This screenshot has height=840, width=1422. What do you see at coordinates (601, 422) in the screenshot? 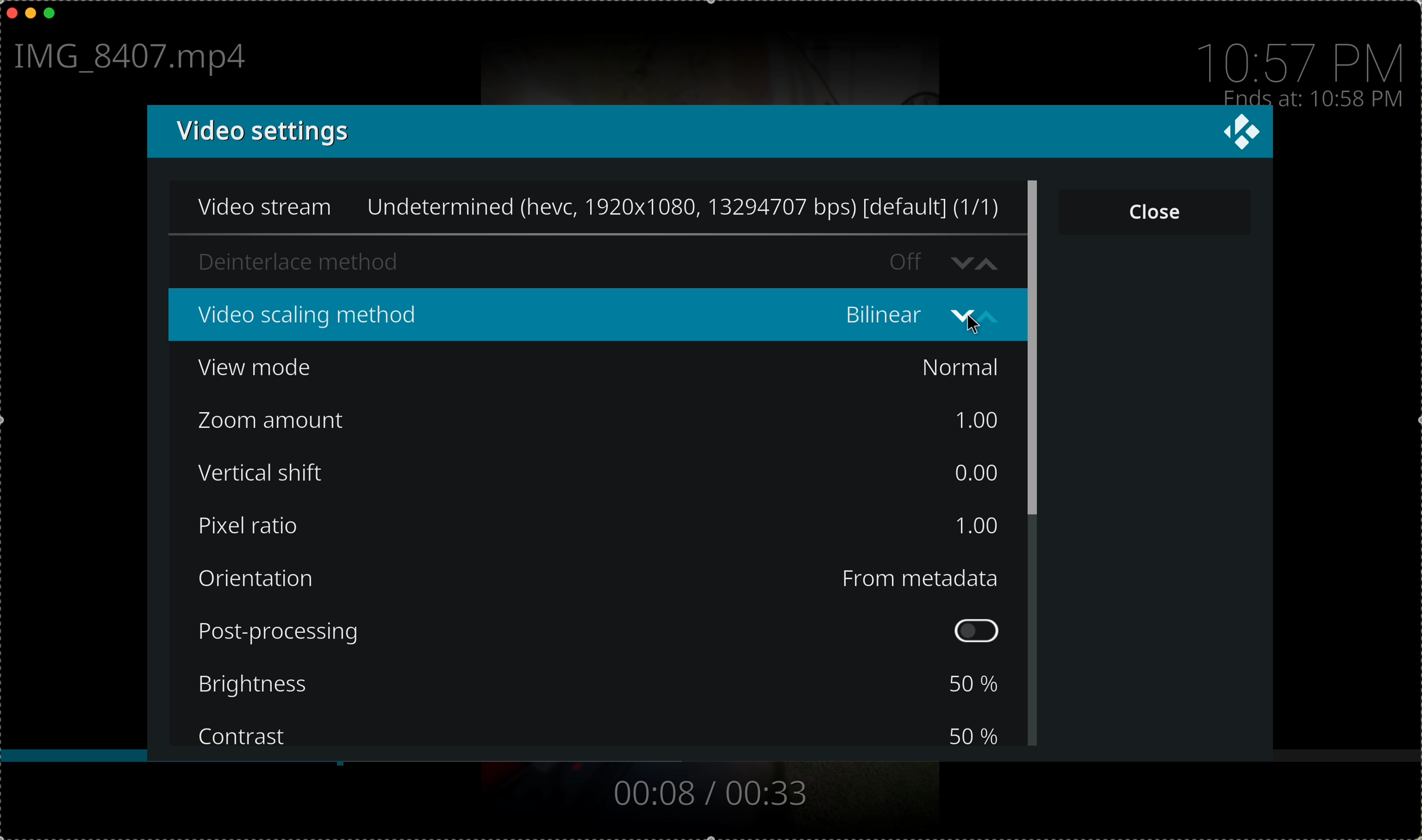
I see `zoom amount  1.00` at bounding box center [601, 422].